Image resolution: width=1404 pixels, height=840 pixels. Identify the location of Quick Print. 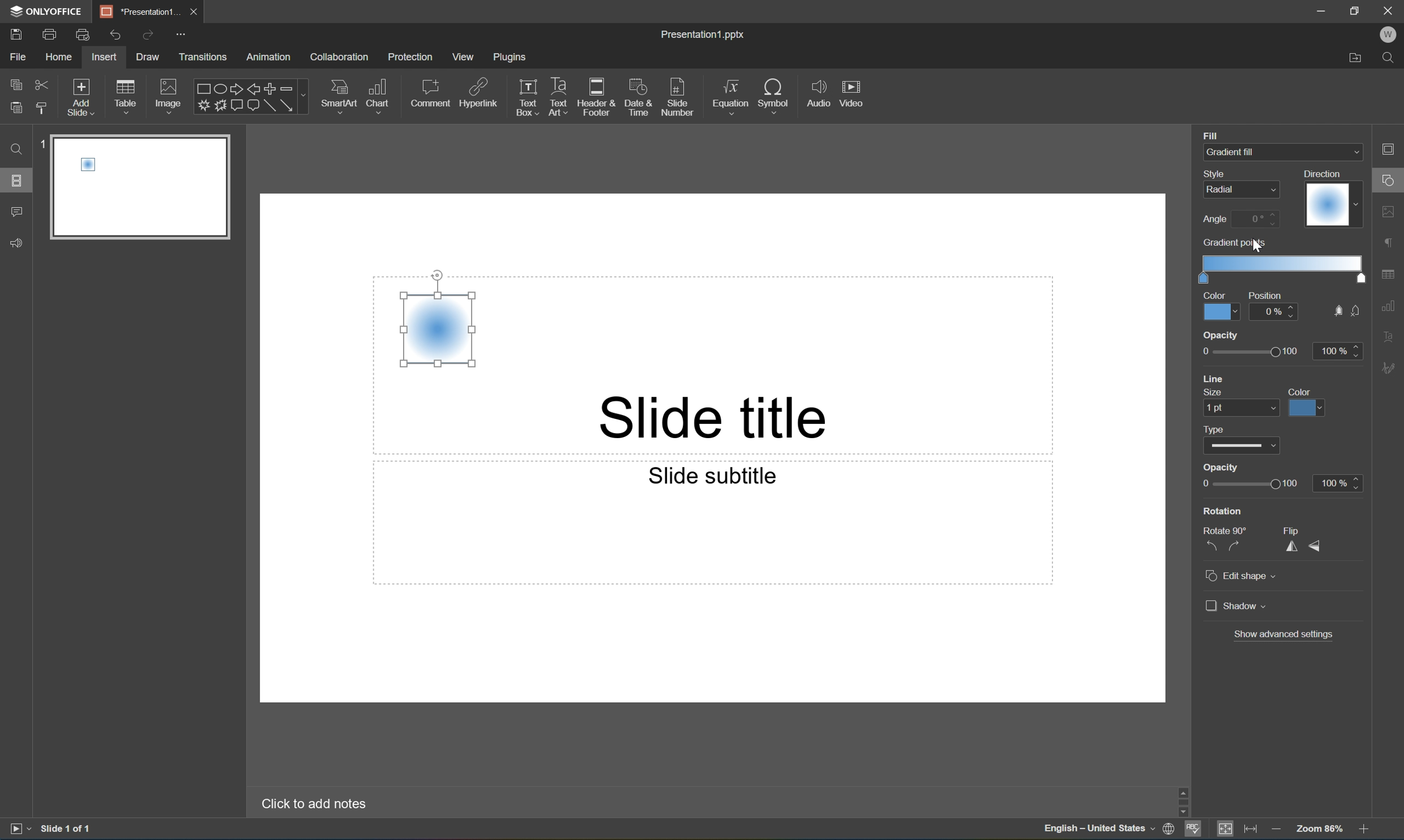
(82, 34).